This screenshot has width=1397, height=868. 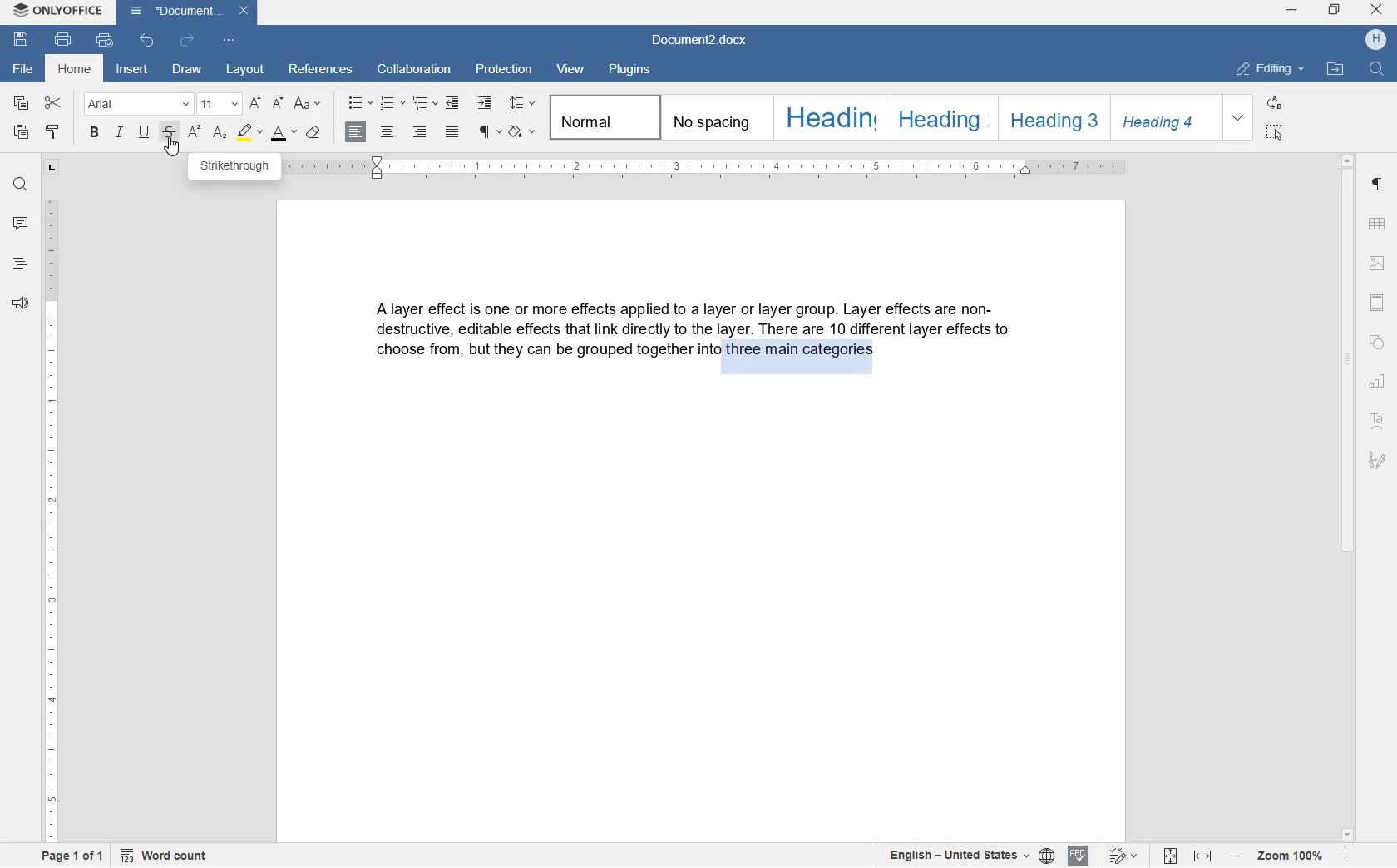 What do you see at coordinates (56, 11) in the screenshot?
I see `system name` at bounding box center [56, 11].